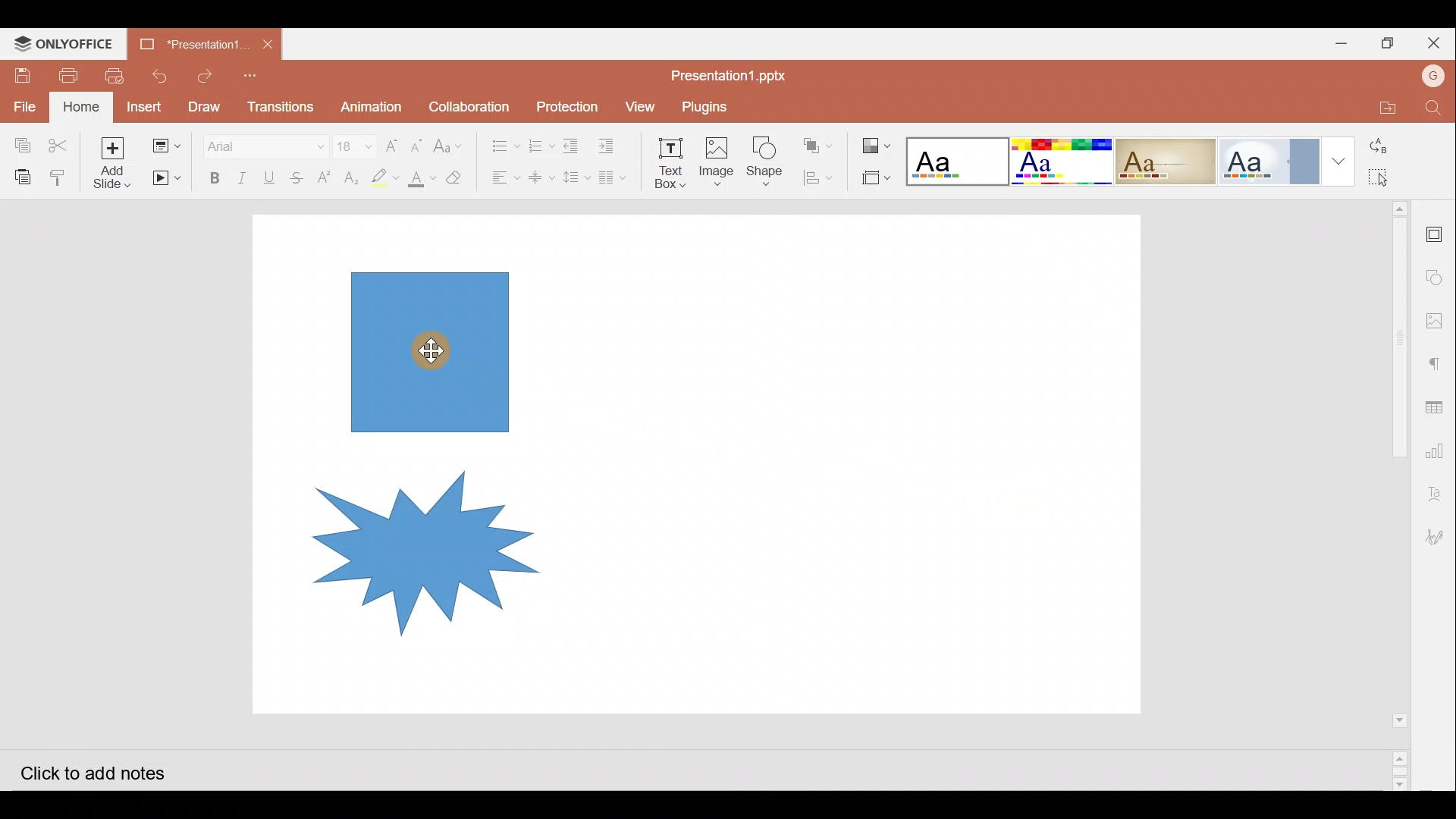  I want to click on Home, so click(81, 107).